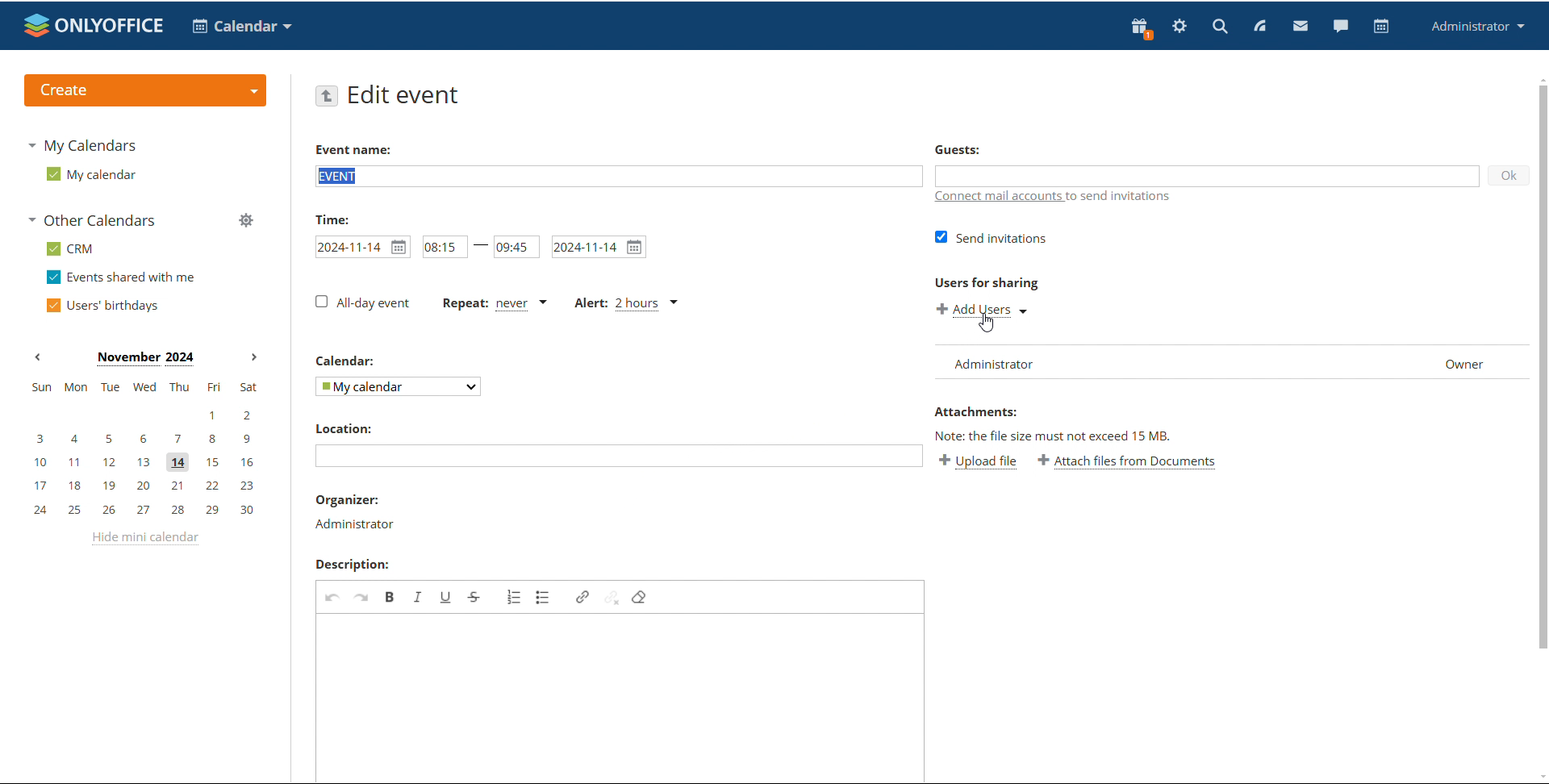 The width and height of the screenshot is (1549, 784). What do you see at coordinates (144, 486) in the screenshot?
I see `17, 18, 19, 20, 21, 22, 23` at bounding box center [144, 486].